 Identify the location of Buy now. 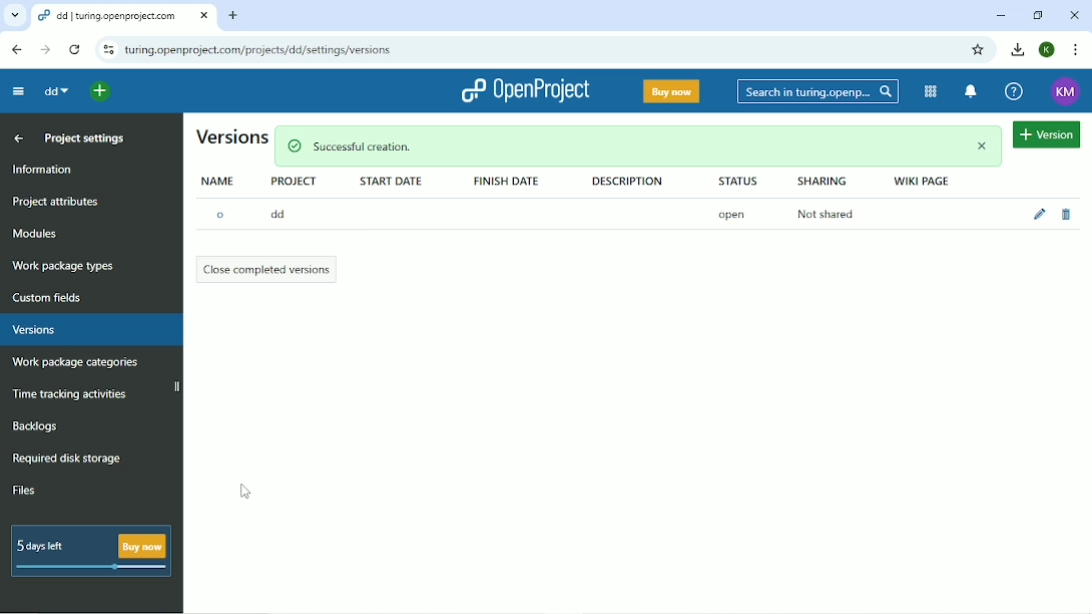
(673, 91).